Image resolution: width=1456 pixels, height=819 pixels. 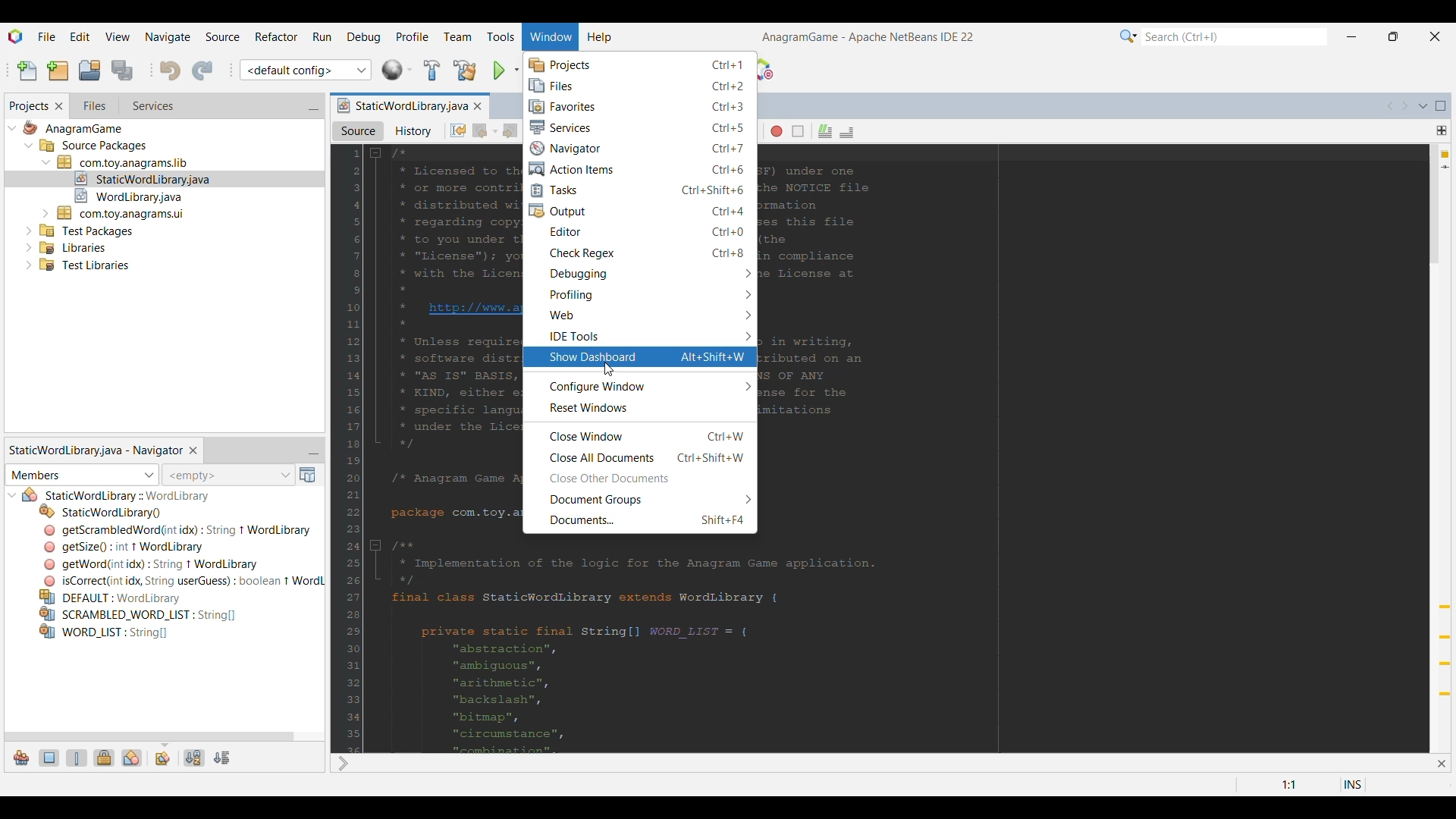 What do you see at coordinates (1303, 785) in the screenshot?
I see `Double click to go to line or bookmark settings` at bounding box center [1303, 785].